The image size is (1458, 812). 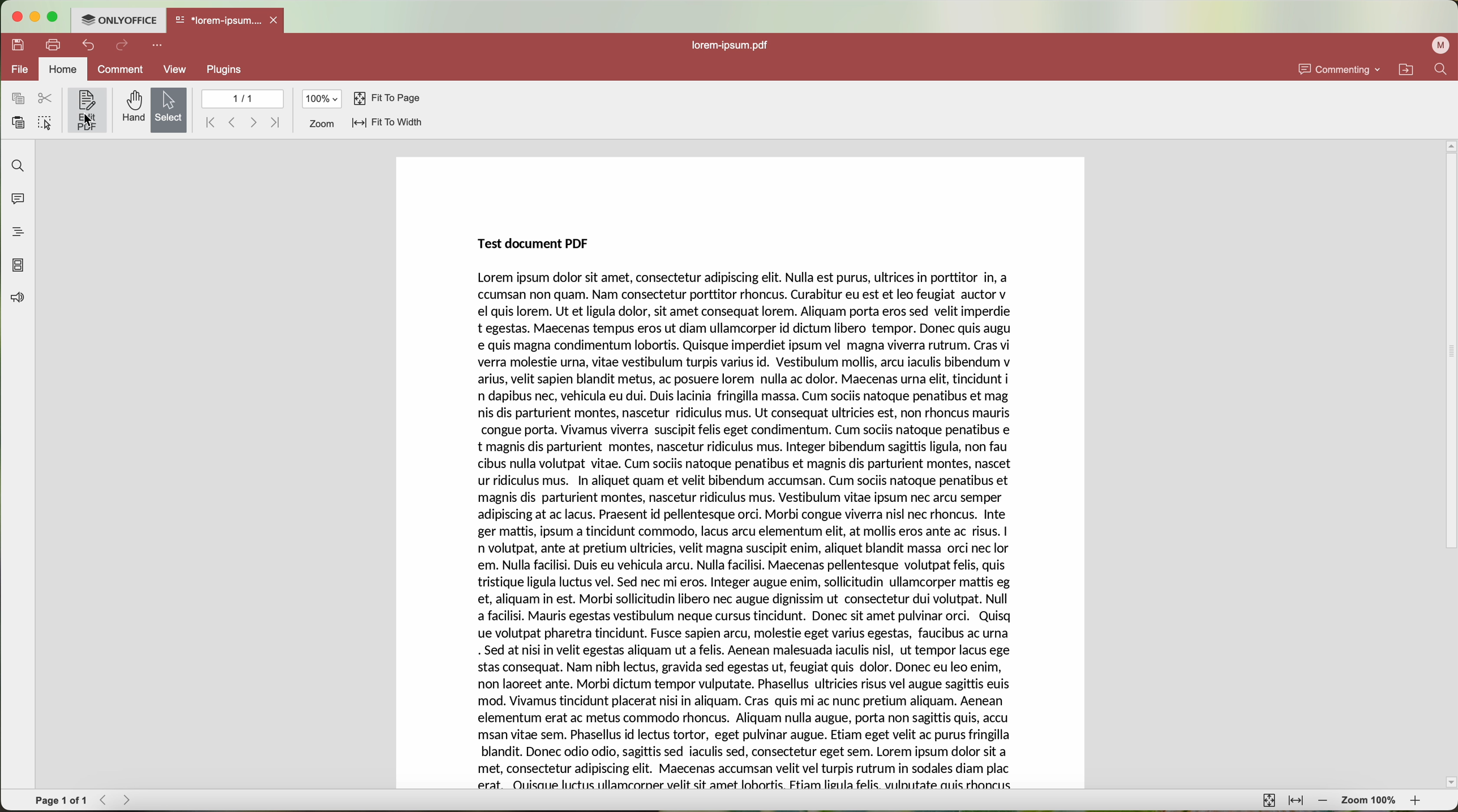 I want to click on feedback & support, so click(x=15, y=299).